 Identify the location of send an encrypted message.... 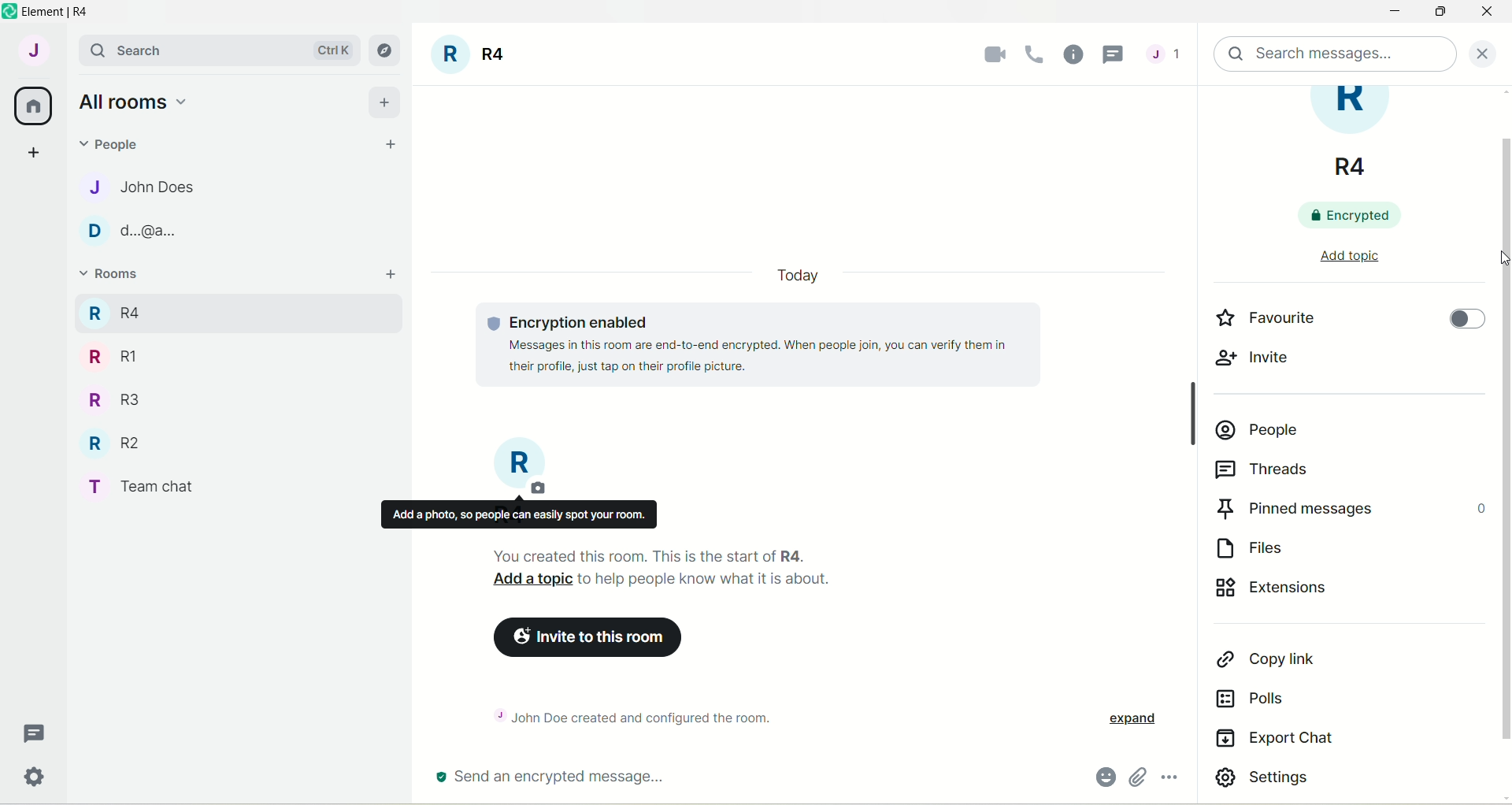
(571, 775).